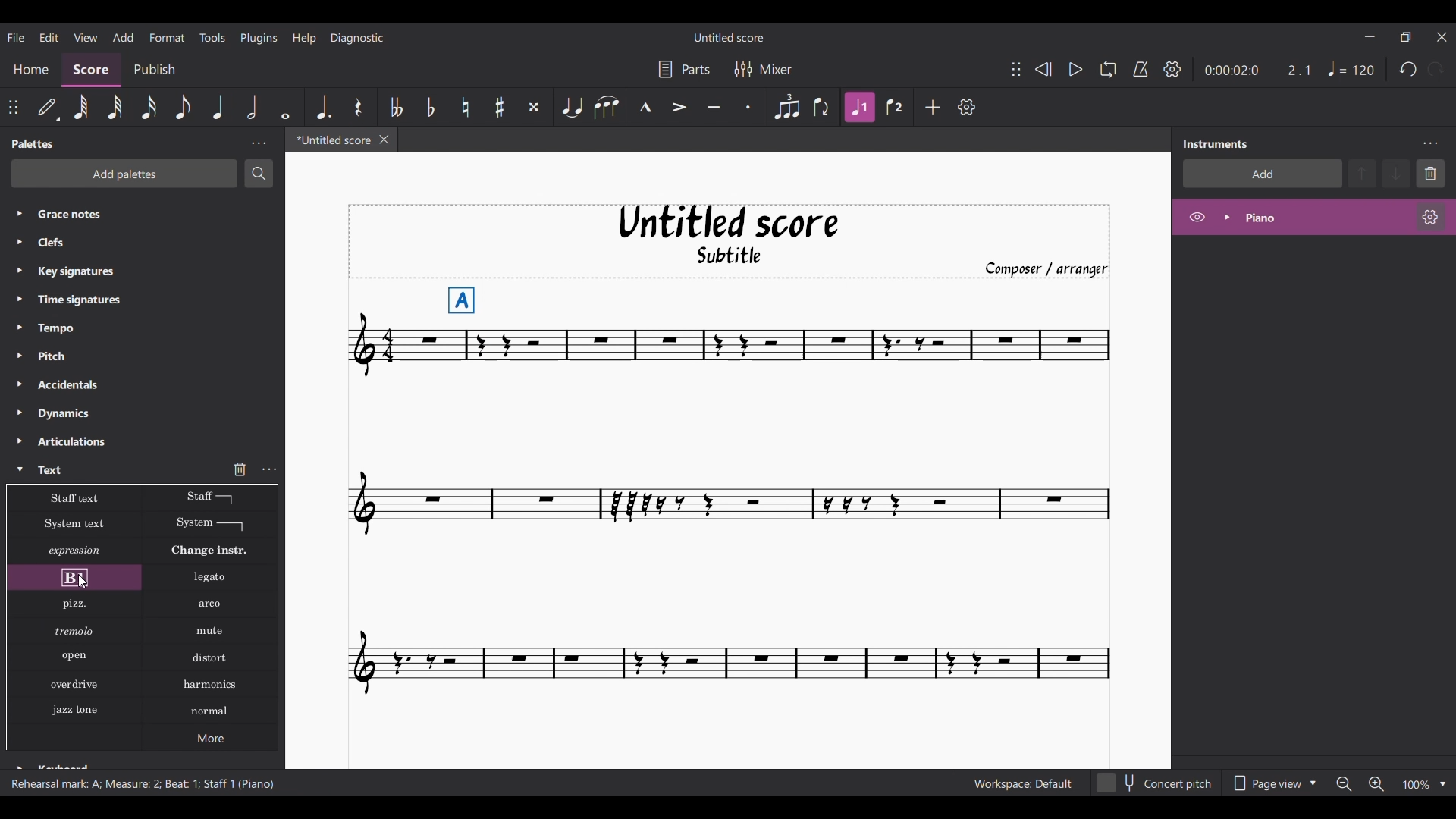  I want to click on Hide piano, so click(1197, 218).